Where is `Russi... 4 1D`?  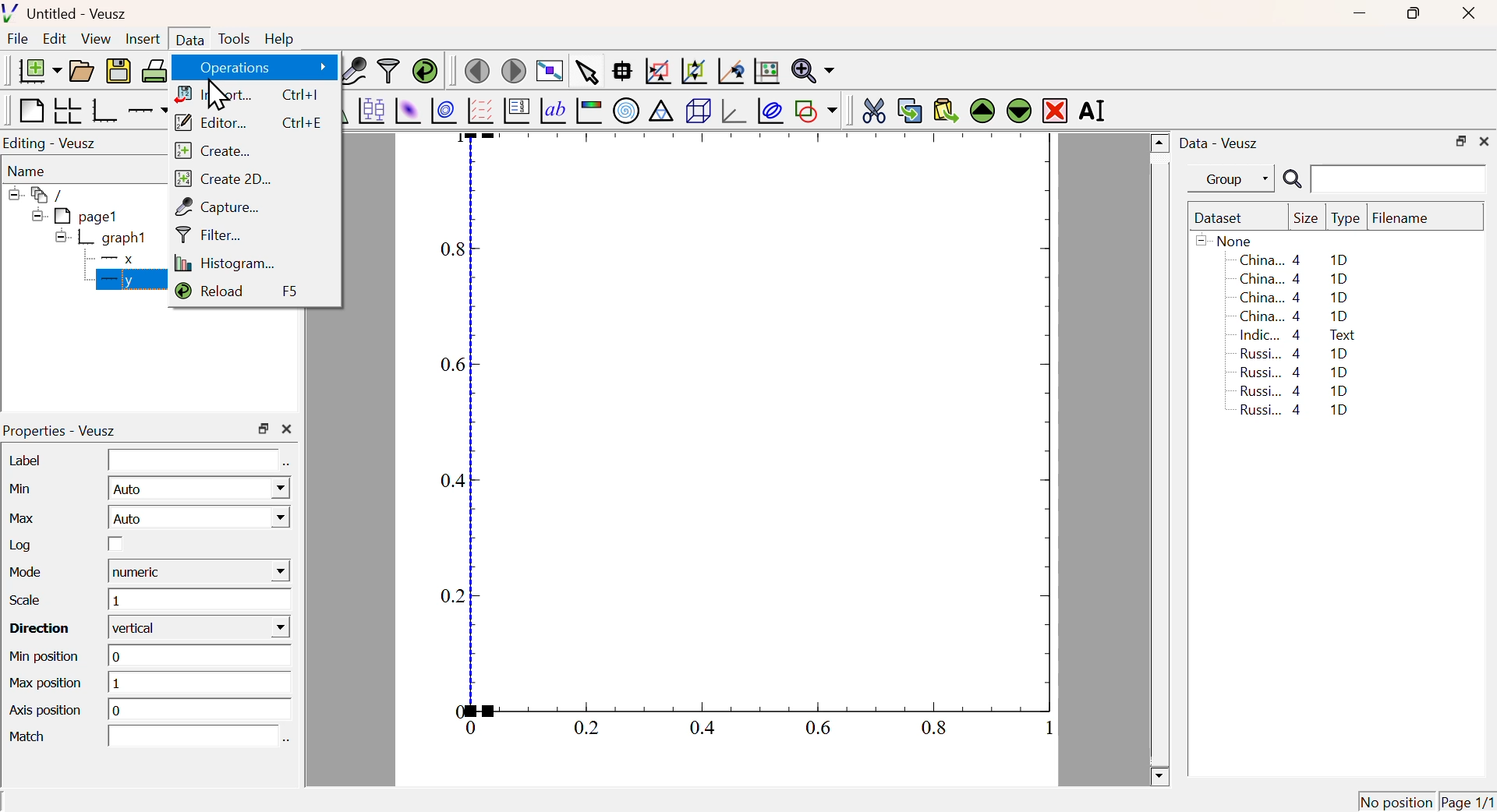 Russi... 4 1D is located at coordinates (1294, 372).